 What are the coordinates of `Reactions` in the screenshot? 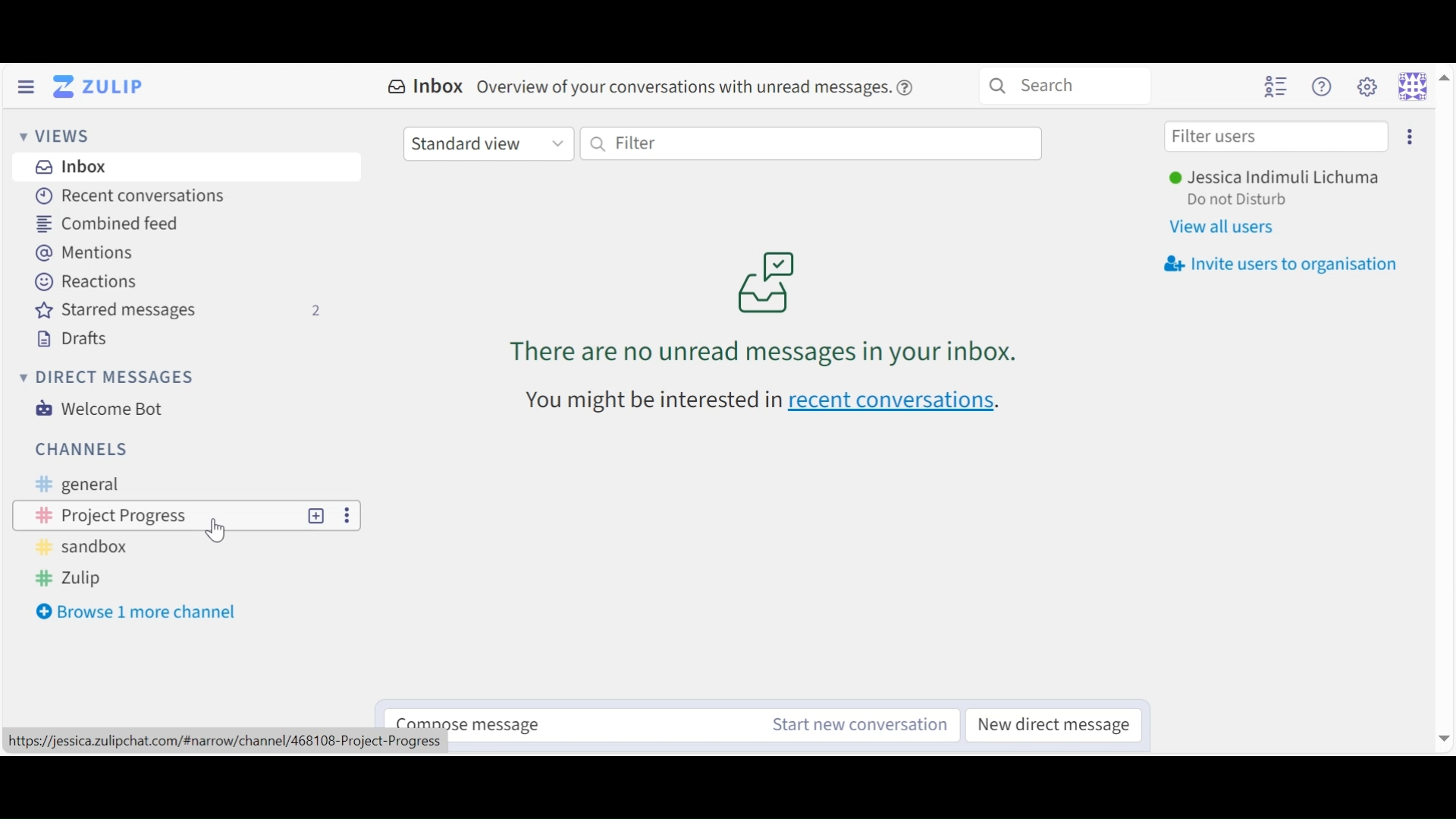 It's located at (88, 283).